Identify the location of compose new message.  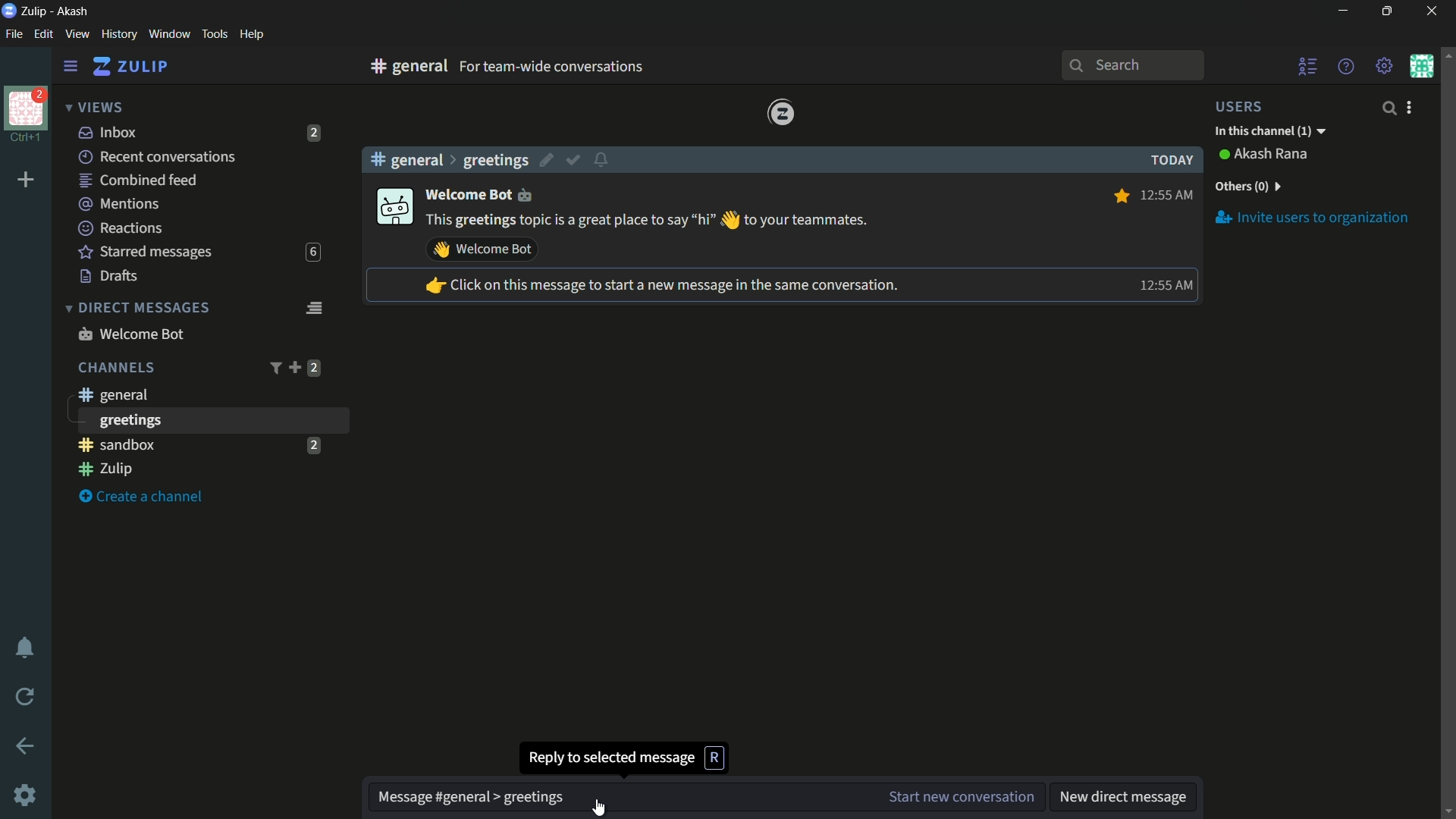
(618, 798).